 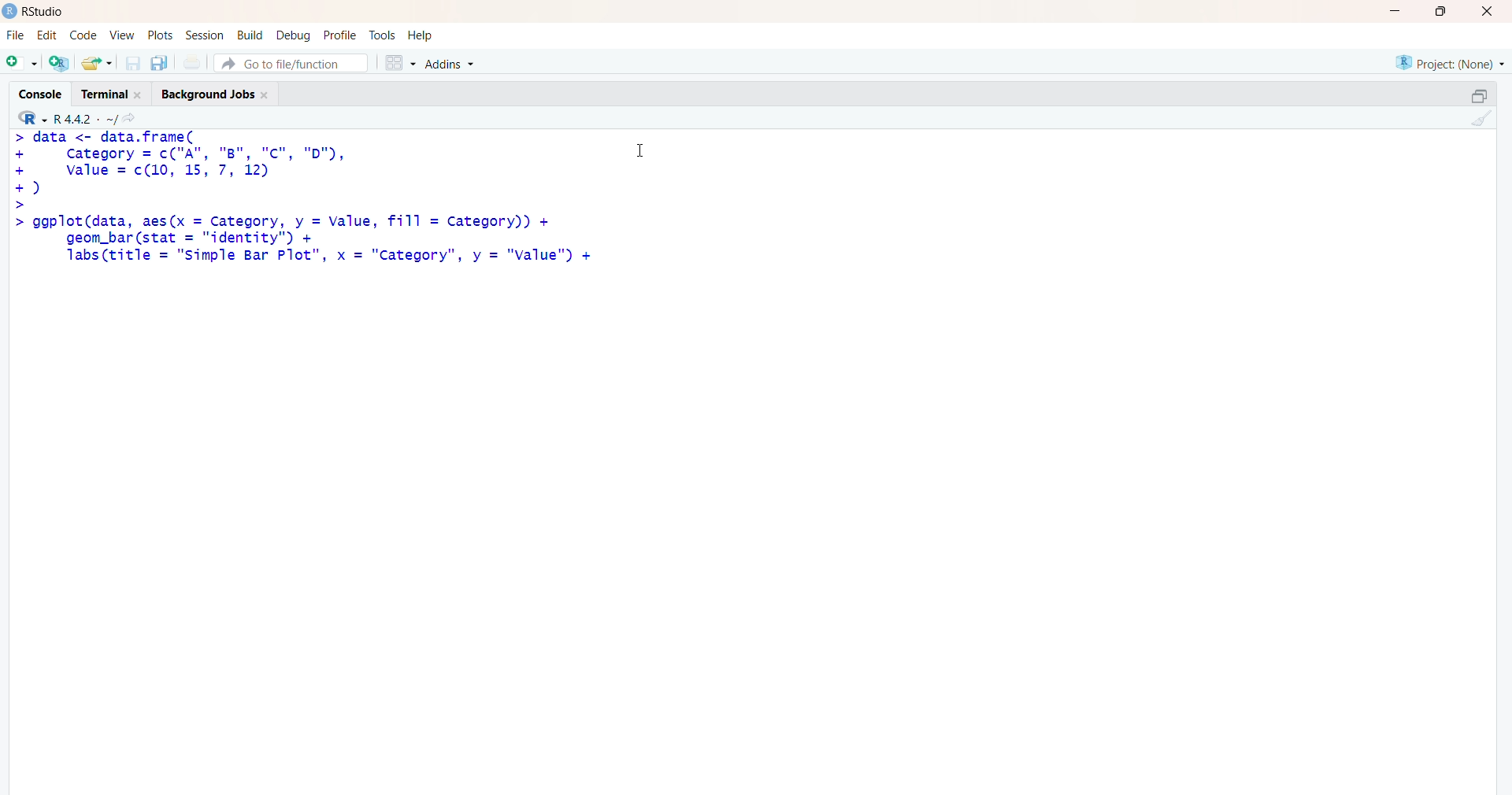 What do you see at coordinates (132, 63) in the screenshot?
I see `save current document` at bounding box center [132, 63].